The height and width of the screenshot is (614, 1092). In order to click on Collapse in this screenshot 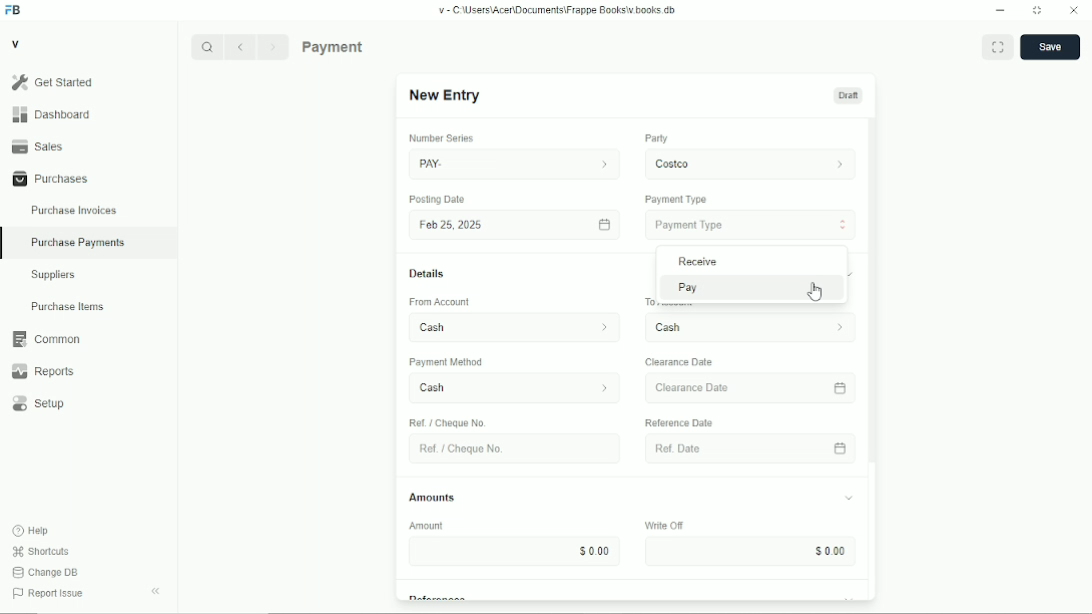, I will do `click(155, 591)`.